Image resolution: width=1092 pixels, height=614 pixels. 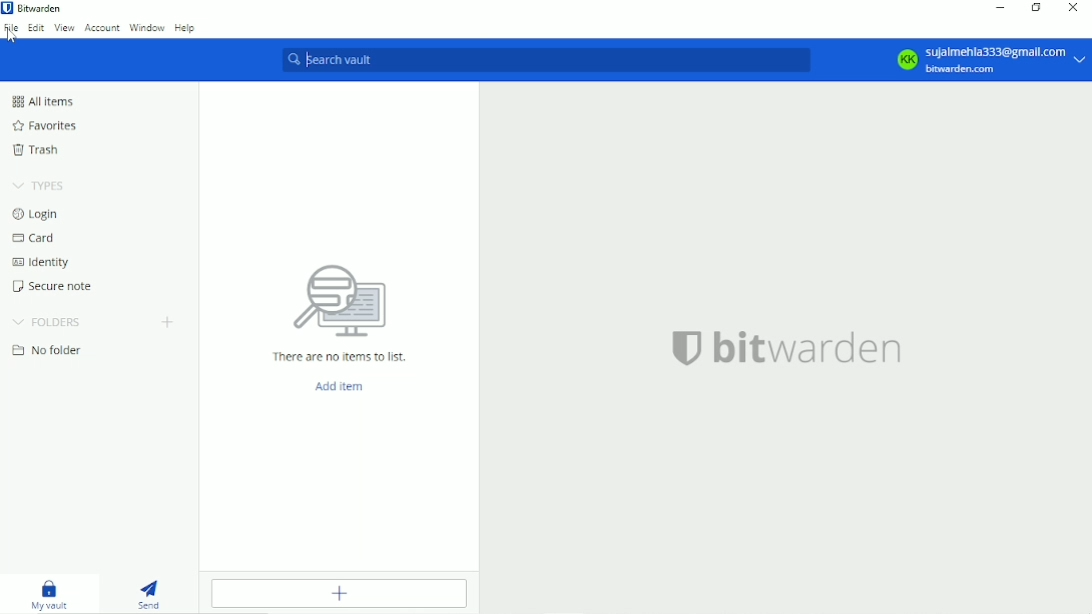 What do you see at coordinates (42, 184) in the screenshot?
I see `Types` at bounding box center [42, 184].